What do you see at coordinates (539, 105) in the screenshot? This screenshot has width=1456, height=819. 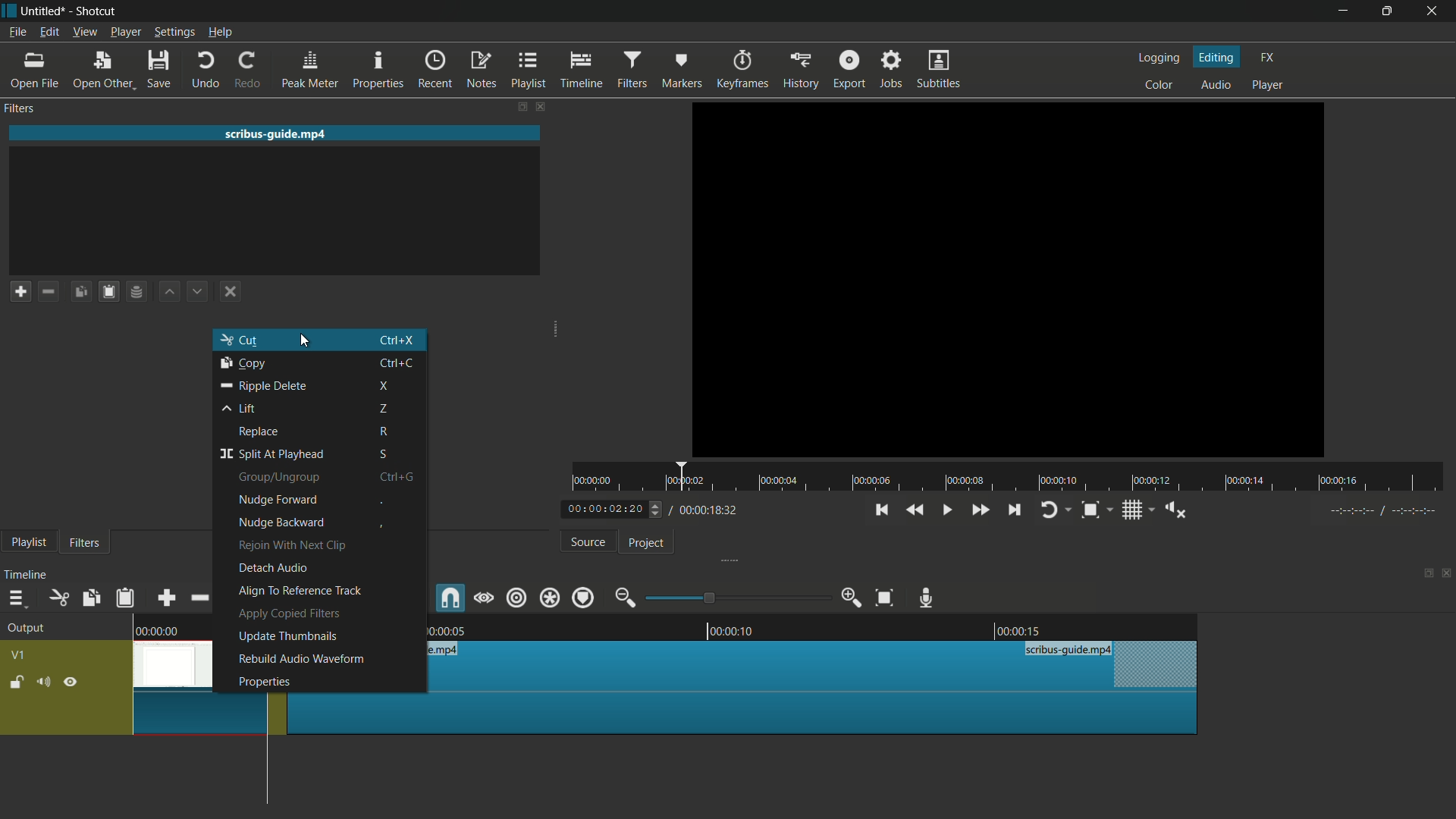 I see `close filters` at bounding box center [539, 105].